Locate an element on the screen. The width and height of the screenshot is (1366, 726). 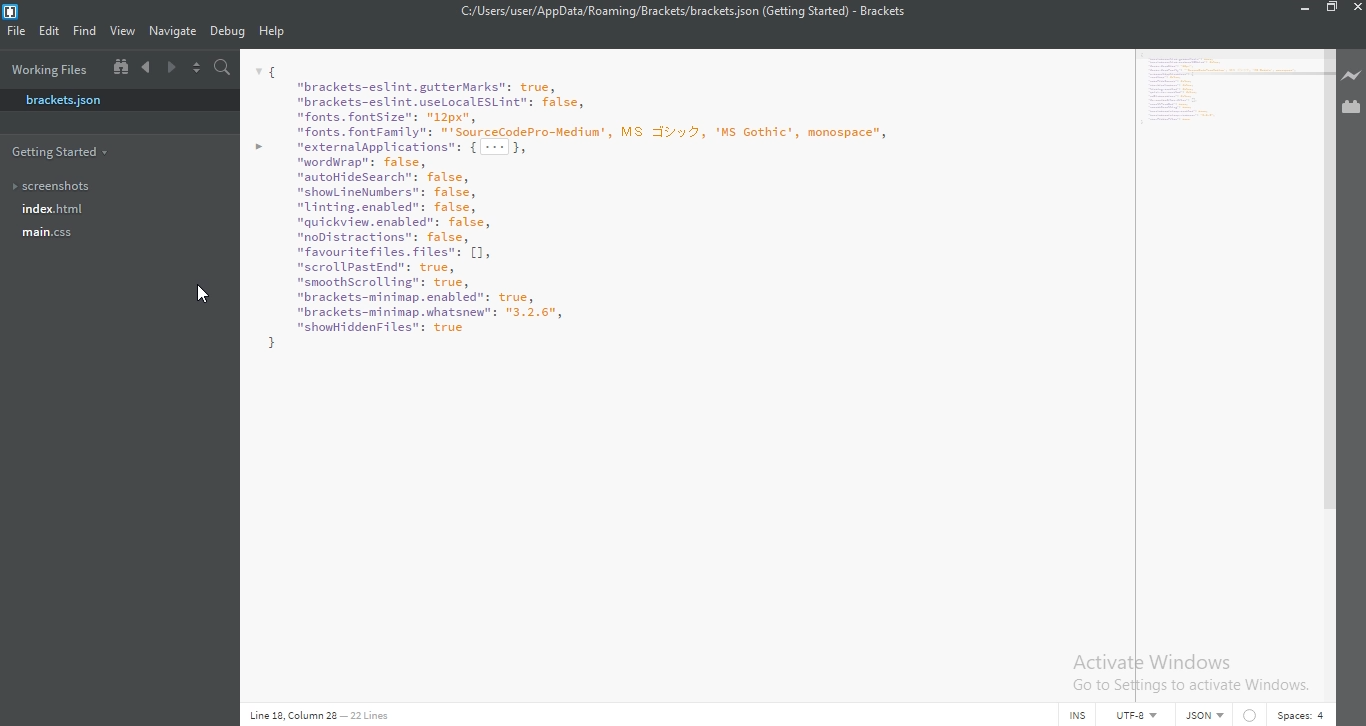
Split the editor vertically or horizontally is located at coordinates (197, 68).